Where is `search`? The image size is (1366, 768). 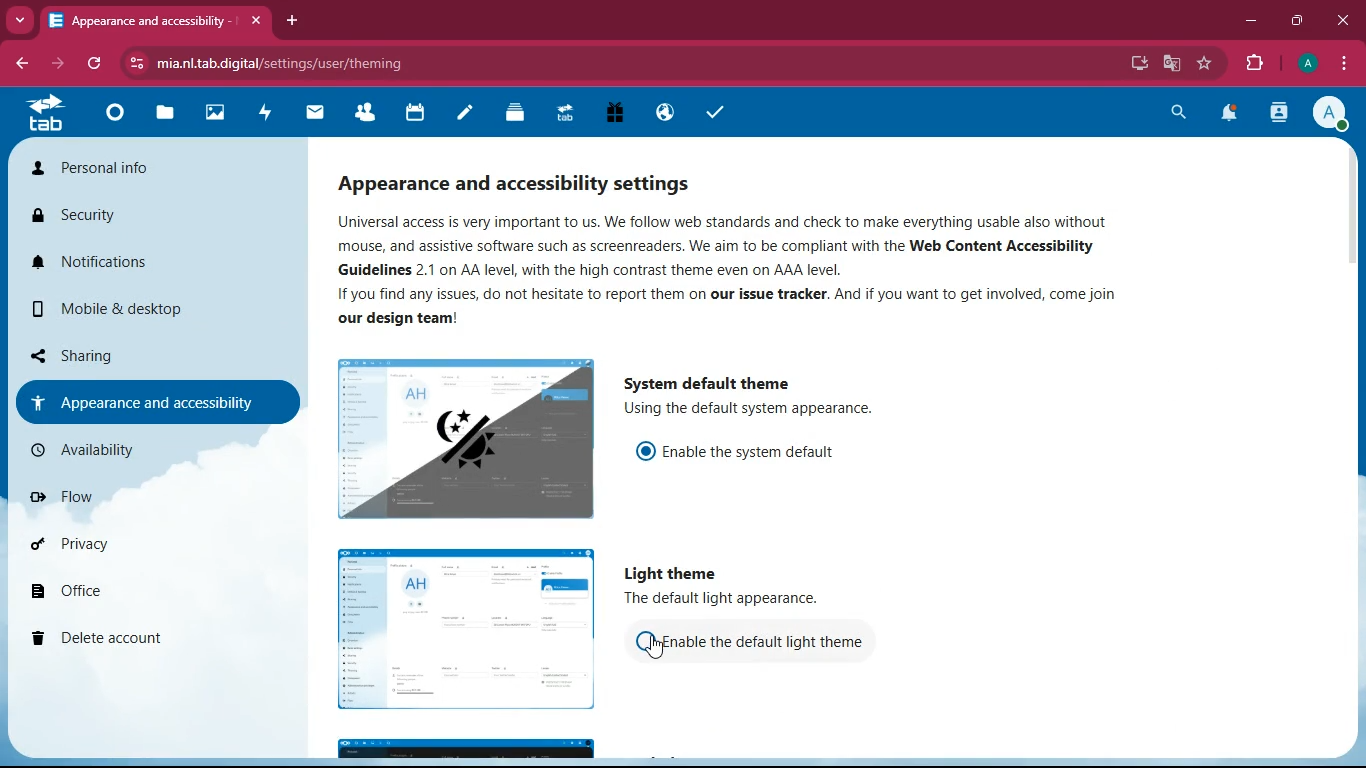 search is located at coordinates (1177, 112).